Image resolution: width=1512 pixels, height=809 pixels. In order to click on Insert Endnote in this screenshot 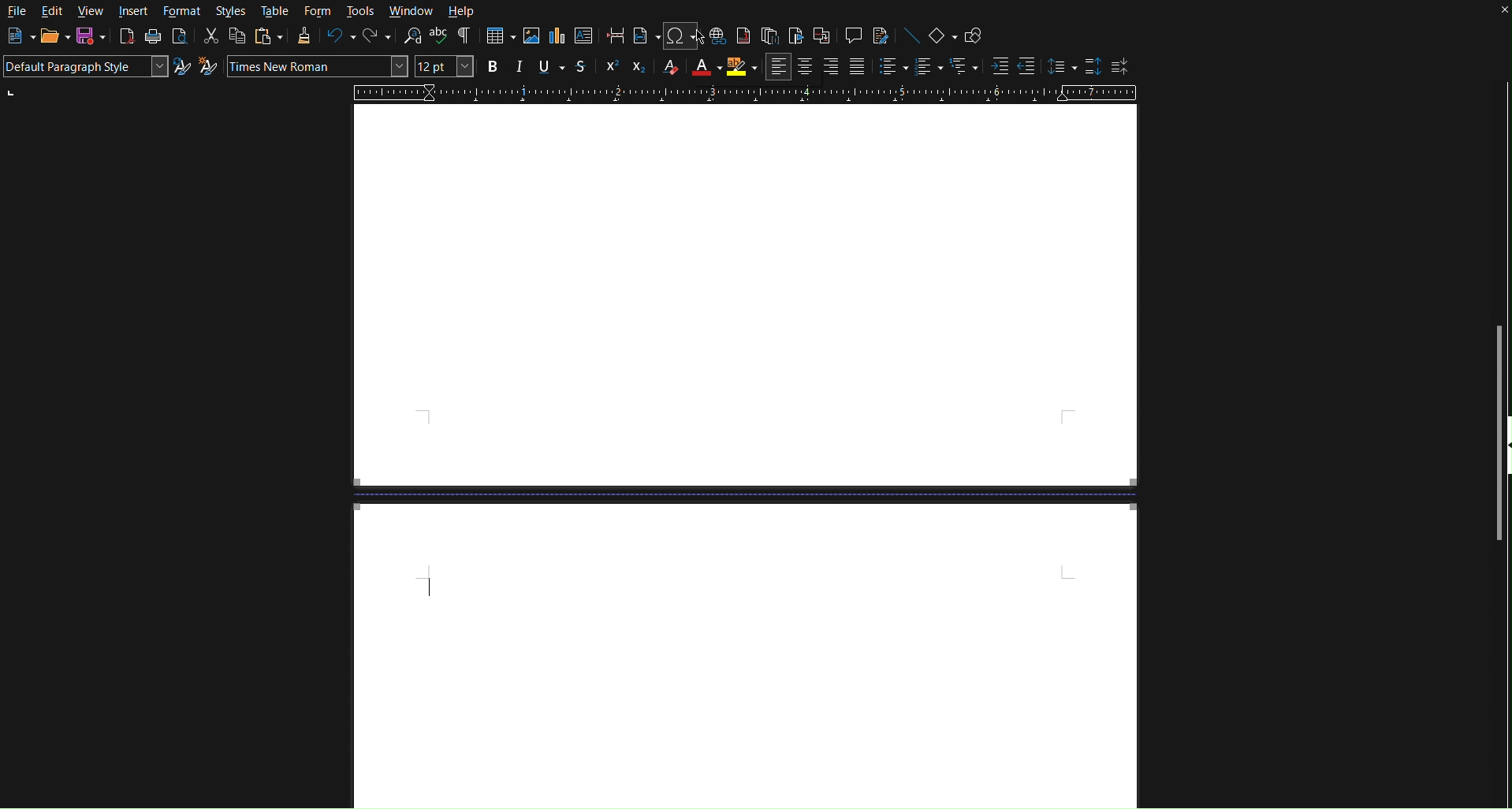, I will do `click(770, 35)`.